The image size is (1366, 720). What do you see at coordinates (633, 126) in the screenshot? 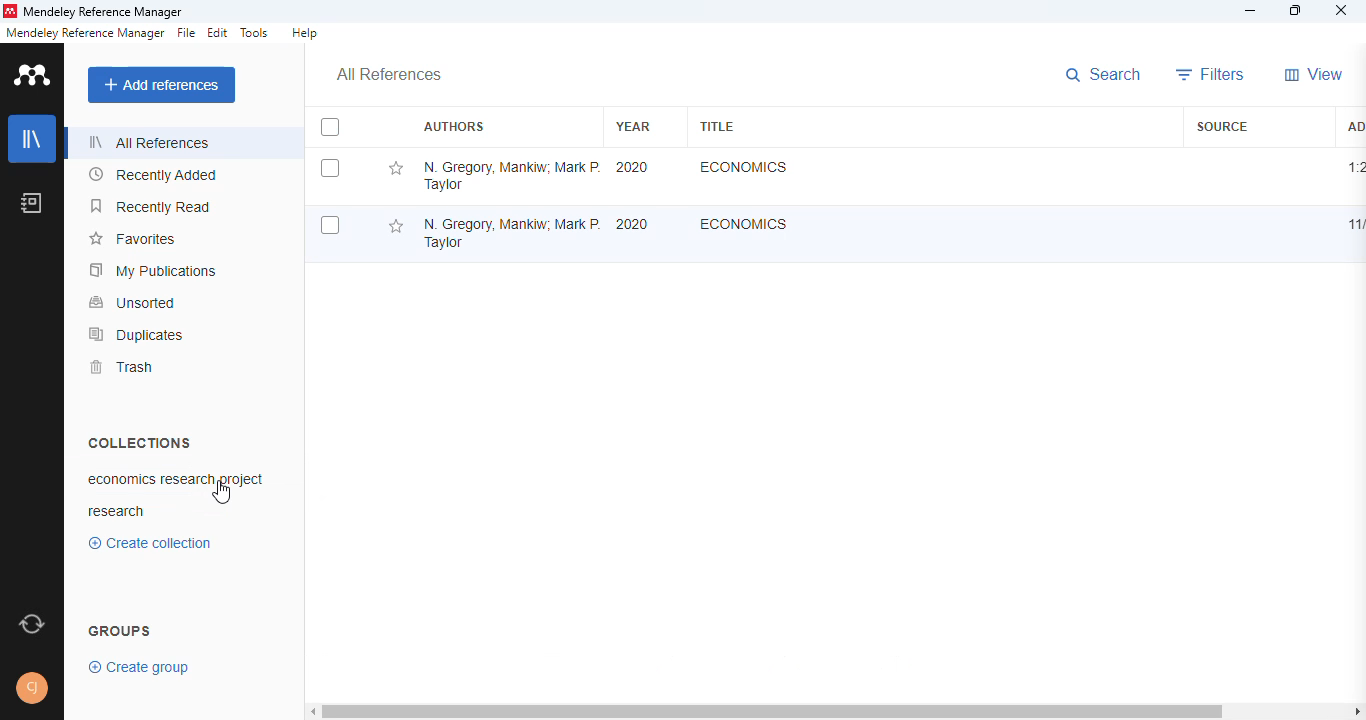
I see `year` at bounding box center [633, 126].